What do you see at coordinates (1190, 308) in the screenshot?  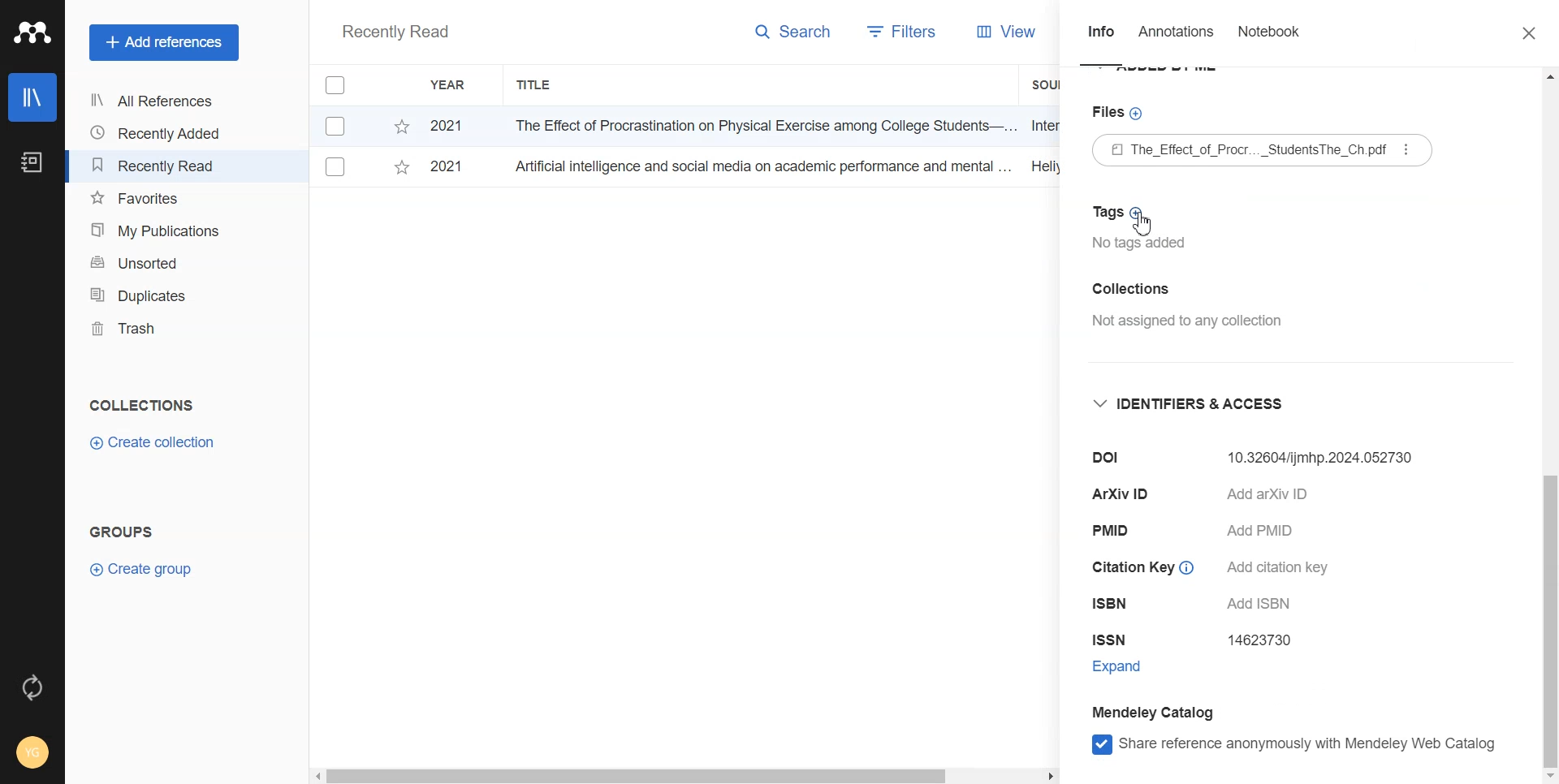 I see `Collection  Not assigned to any collection` at bounding box center [1190, 308].